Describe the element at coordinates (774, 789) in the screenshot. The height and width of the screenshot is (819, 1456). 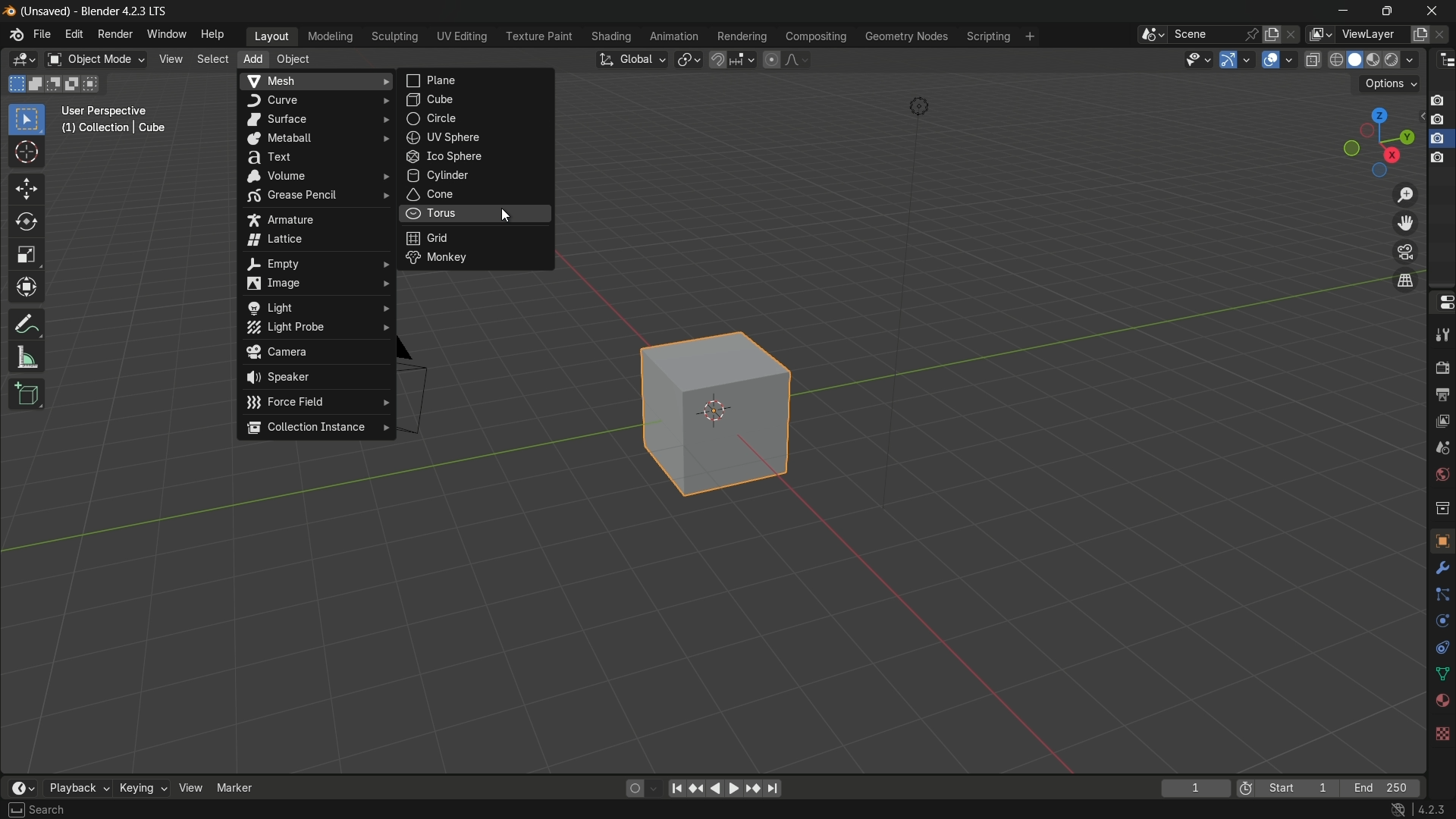
I see `jump to endpoint` at that location.